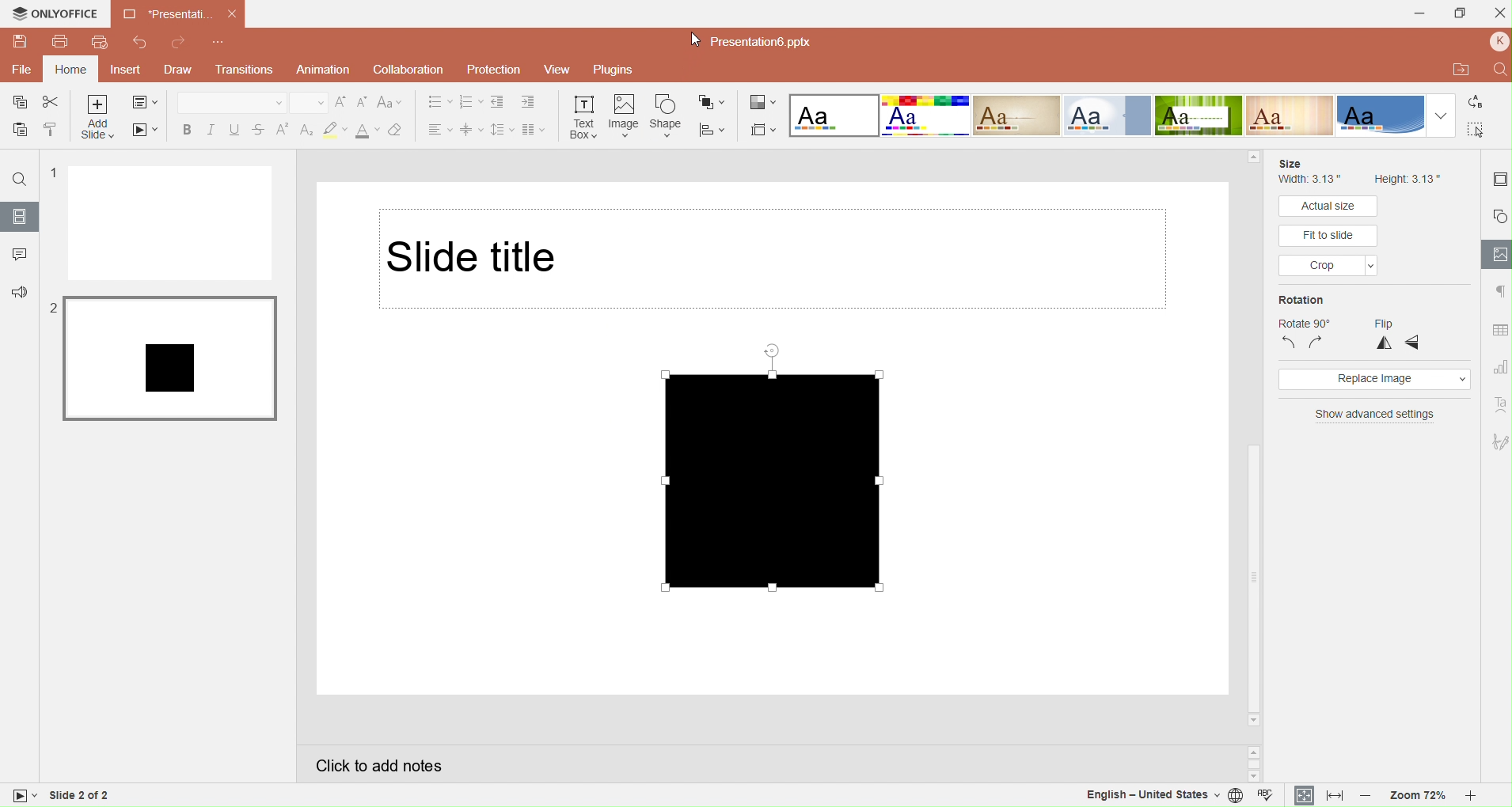 The image size is (1512, 807). I want to click on Scroll buttons, so click(1252, 760).